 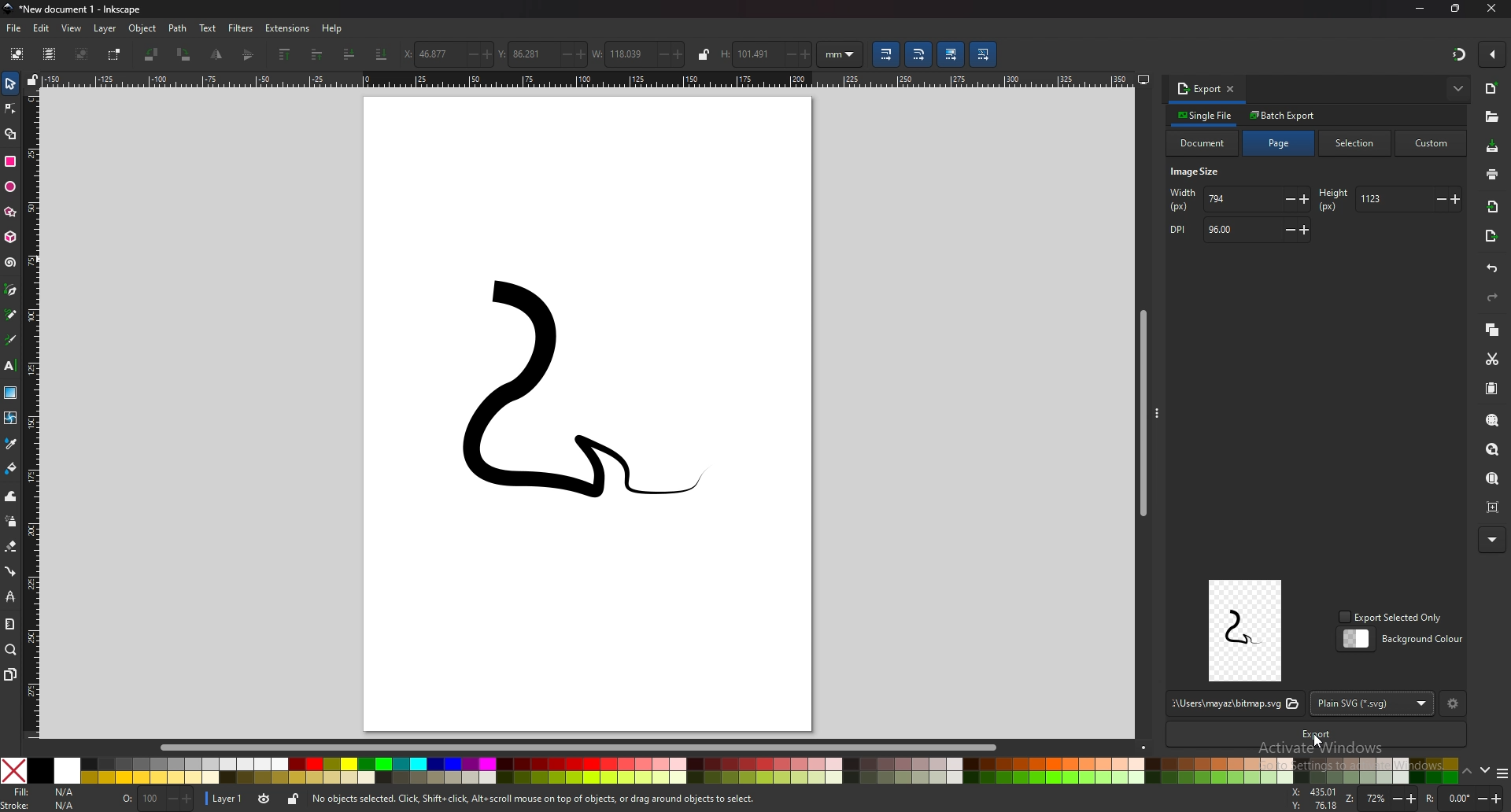 I want to click on plain svg, so click(x=1373, y=703).